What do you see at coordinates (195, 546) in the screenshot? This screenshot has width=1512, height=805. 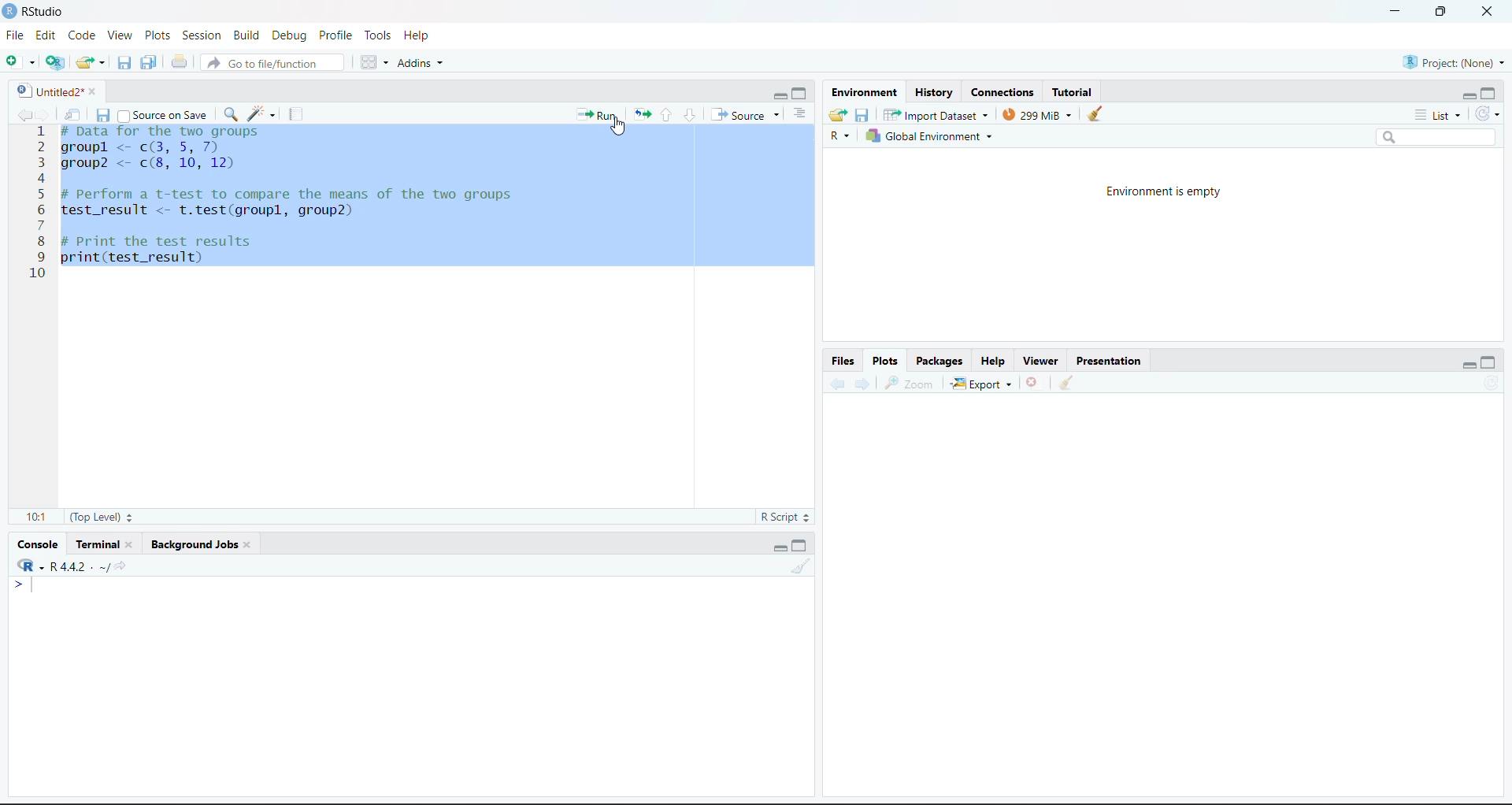 I see `Background Jobs` at bounding box center [195, 546].